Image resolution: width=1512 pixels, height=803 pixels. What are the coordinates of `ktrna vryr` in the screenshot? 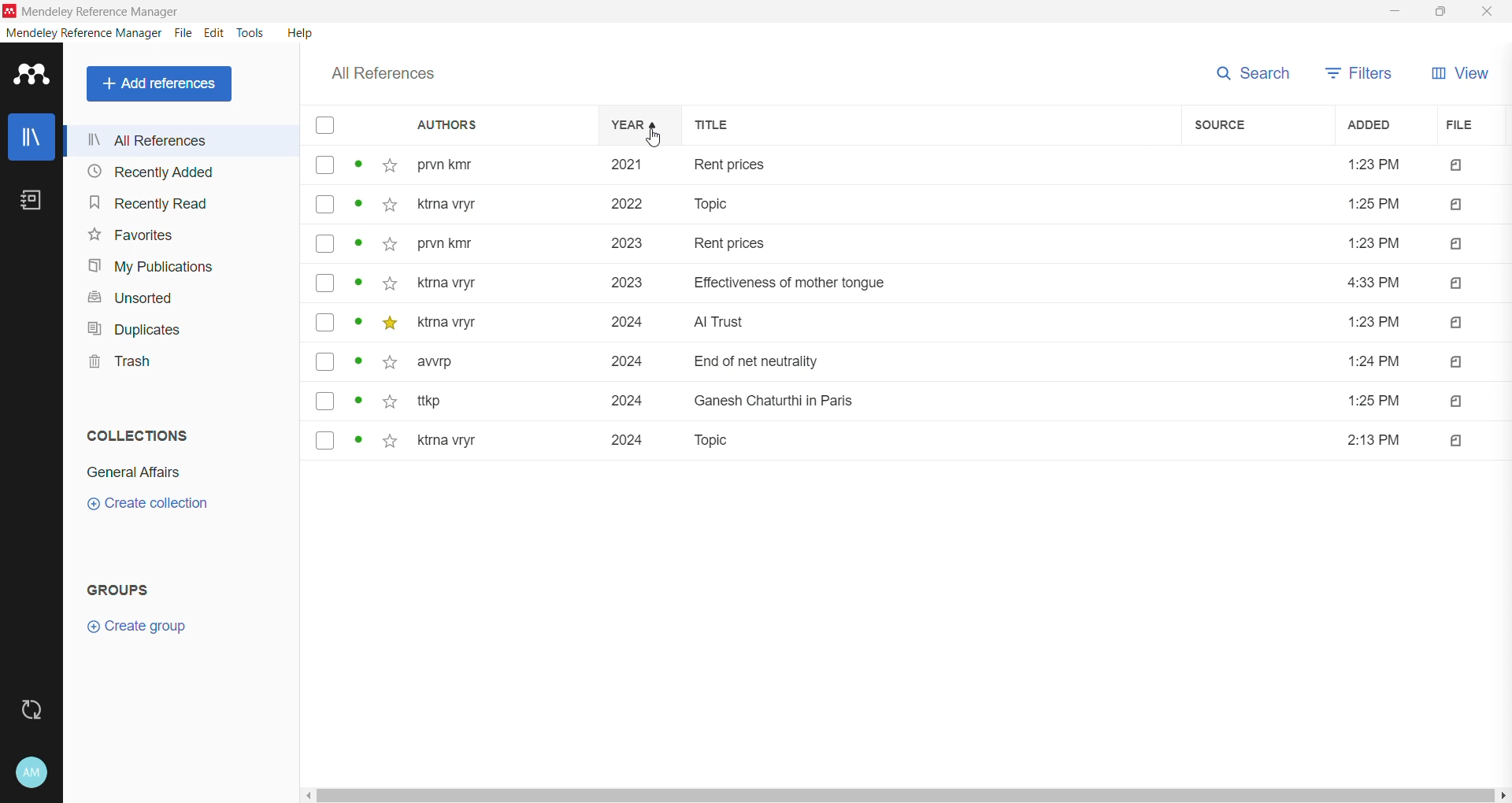 It's located at (447, 441).